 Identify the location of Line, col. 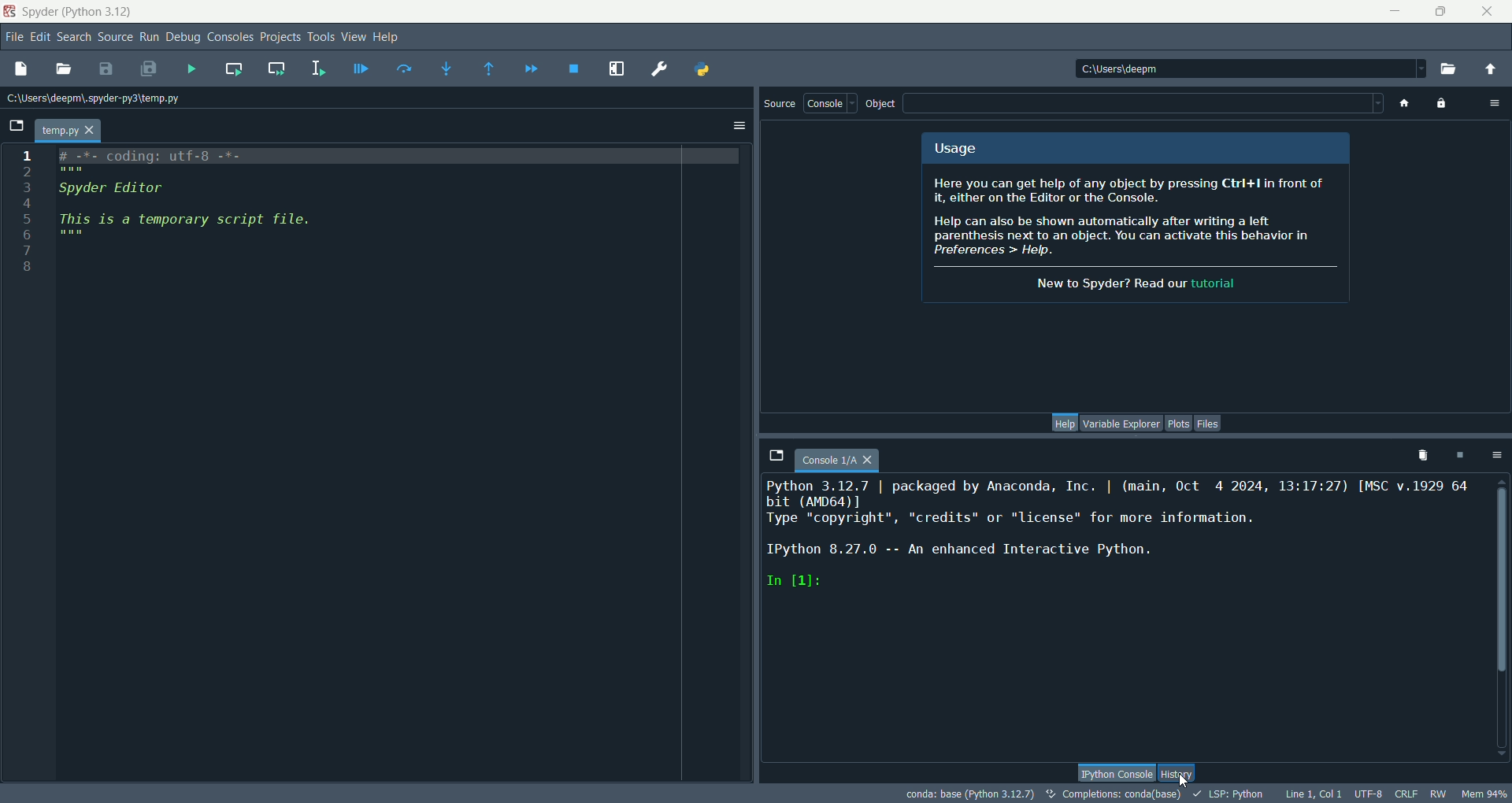
(1313, 793).